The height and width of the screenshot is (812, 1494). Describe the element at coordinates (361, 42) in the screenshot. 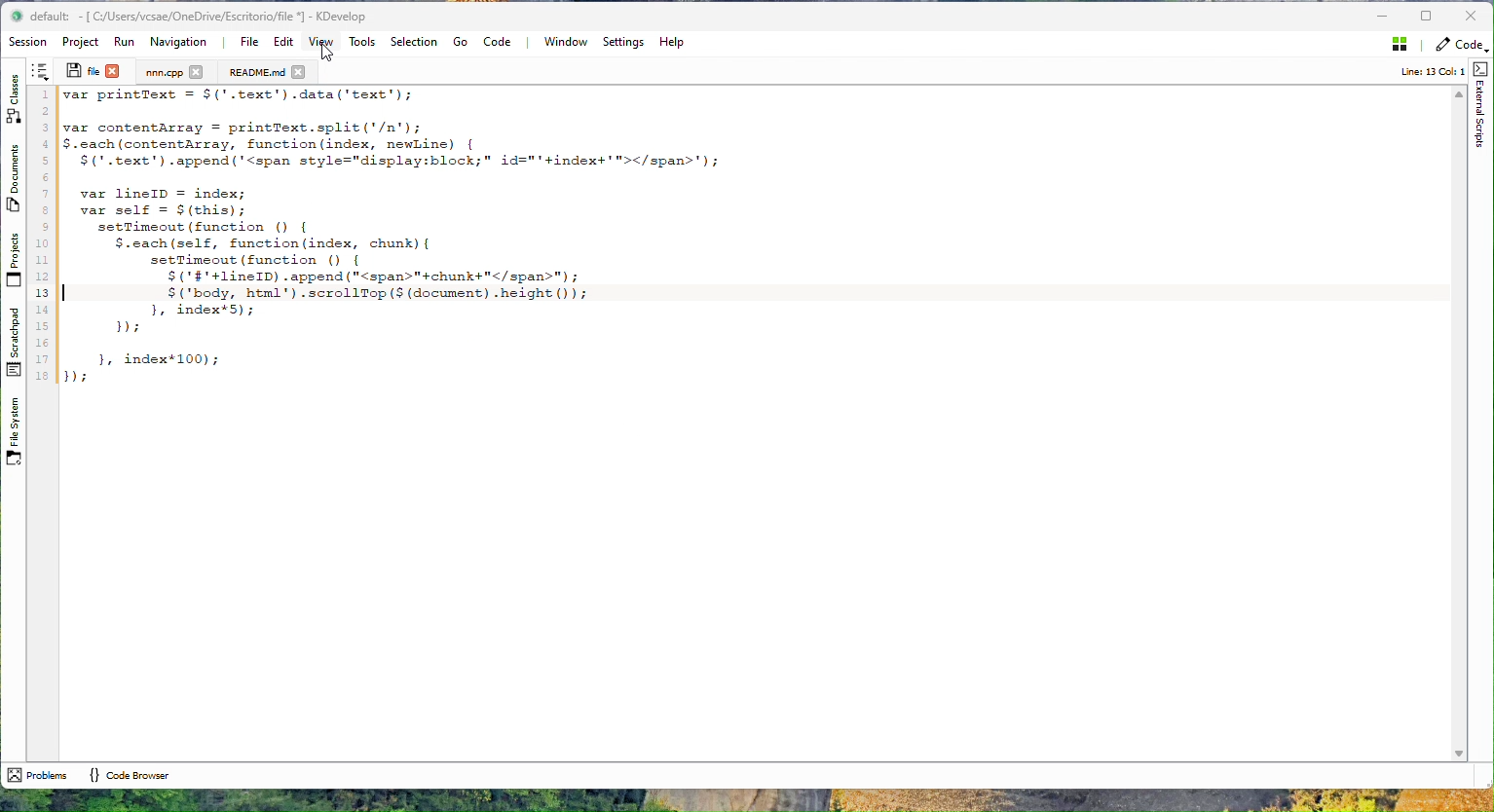

I see `Tools` at that location.